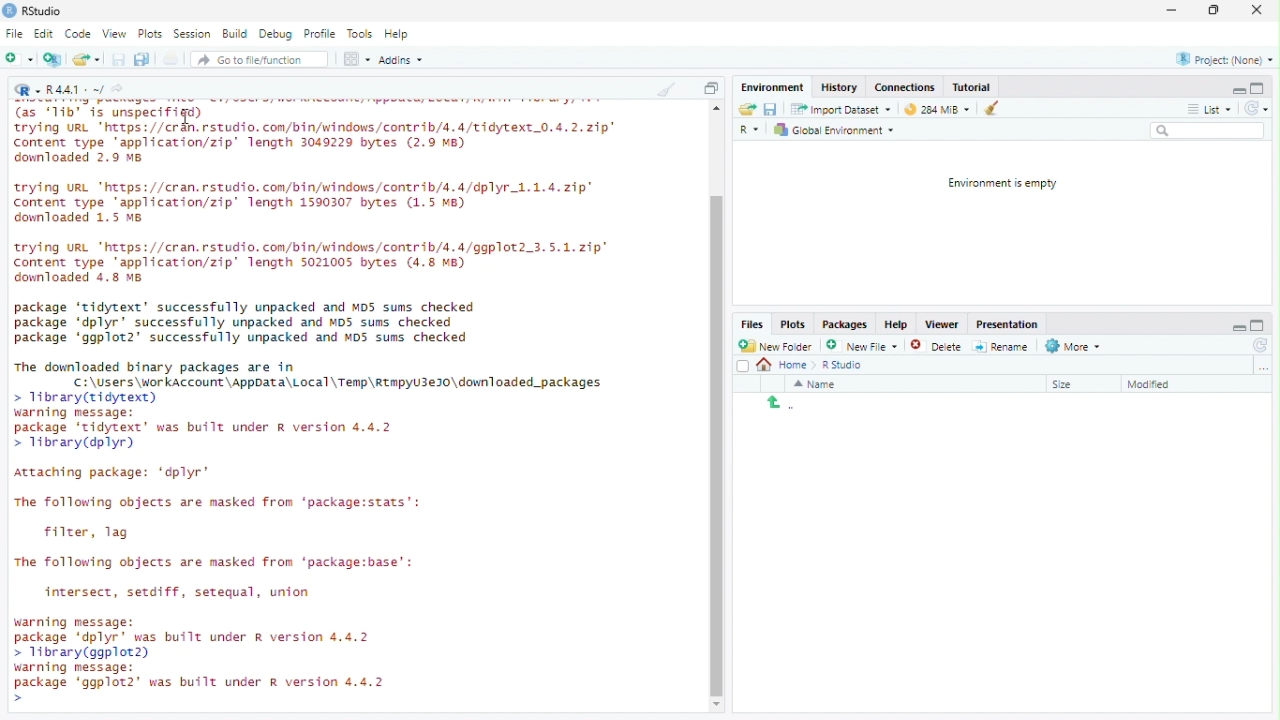  Describe the element at coordinates (1153, 385) in the screenshot. I see `Modified` at that location.